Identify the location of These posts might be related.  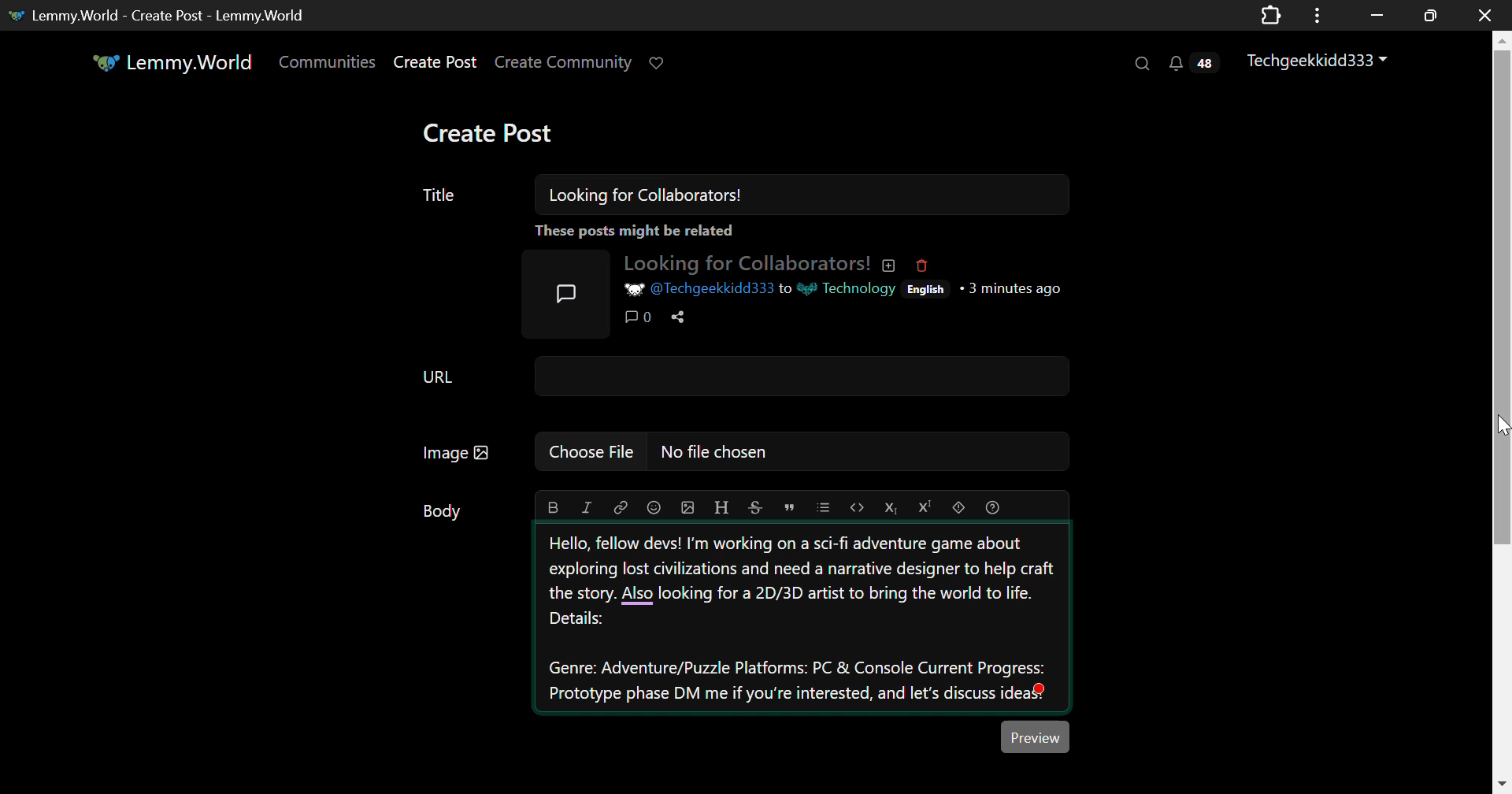
(798, 232).